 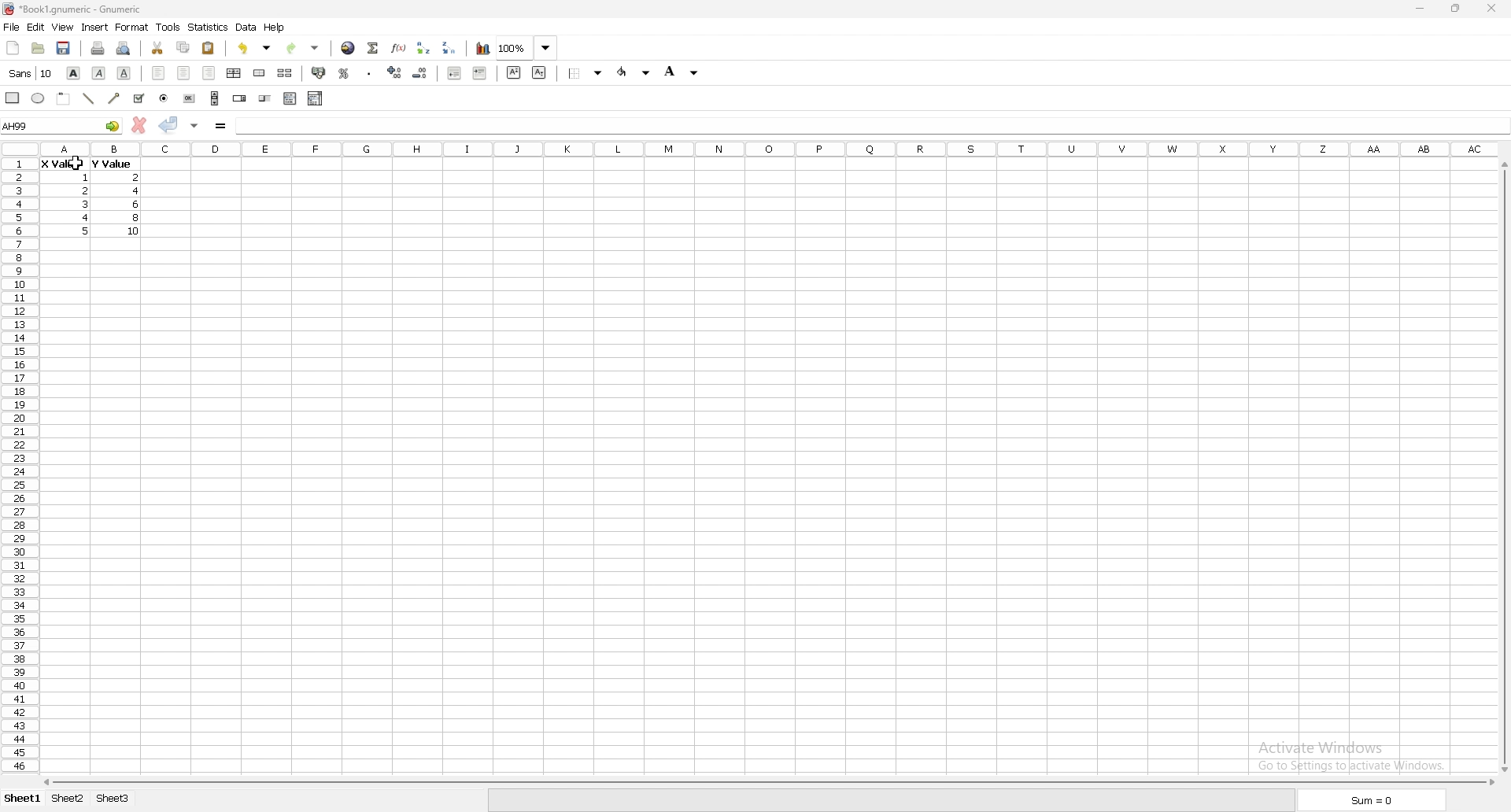 What do you see at coordinates (315, 98) in the screenshot?
I see `combo box` at bounding box center [315, 98].